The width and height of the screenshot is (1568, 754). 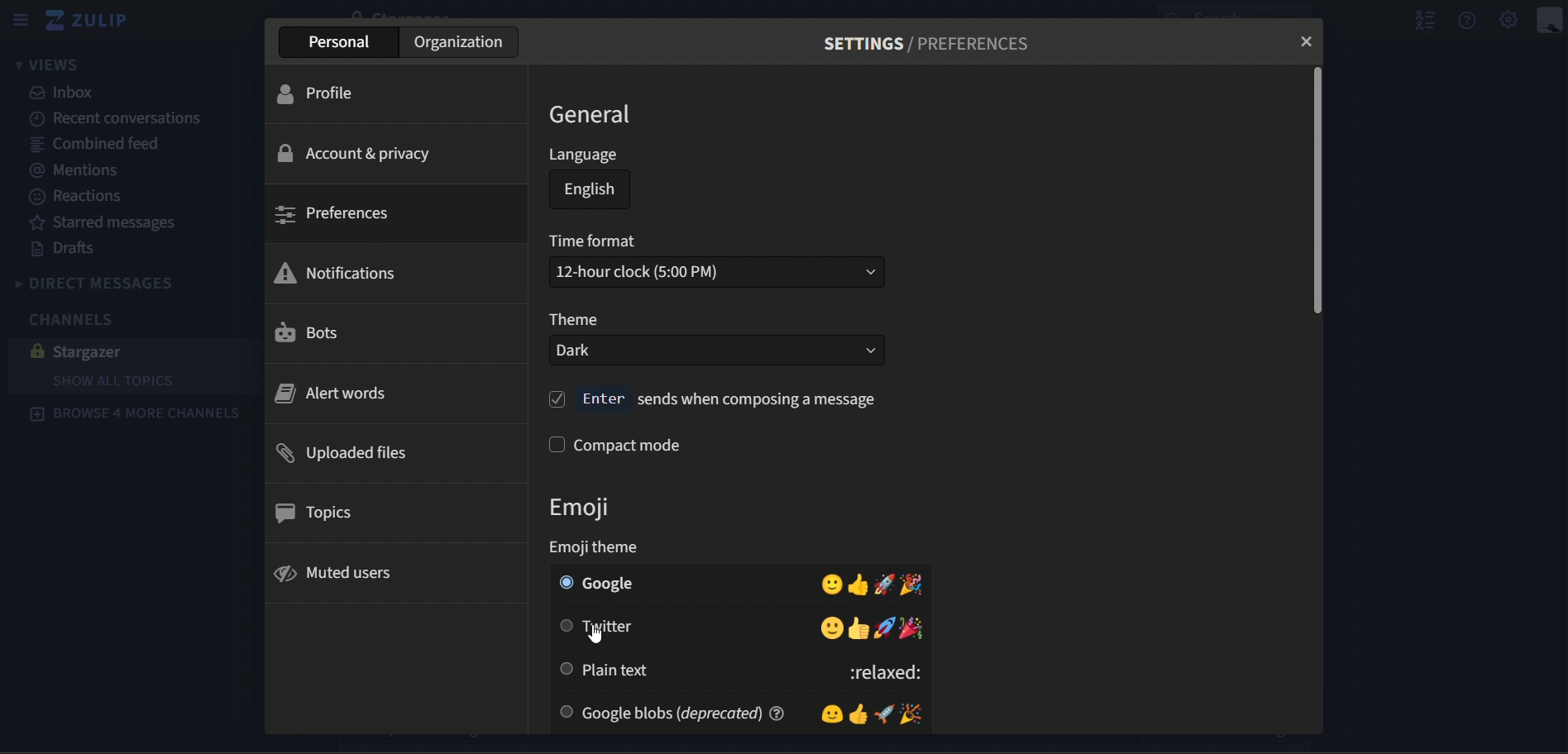 What do you see at coordinates (716, 351) in the screenshot?
I see `dark` at bounding box center [716, 351].